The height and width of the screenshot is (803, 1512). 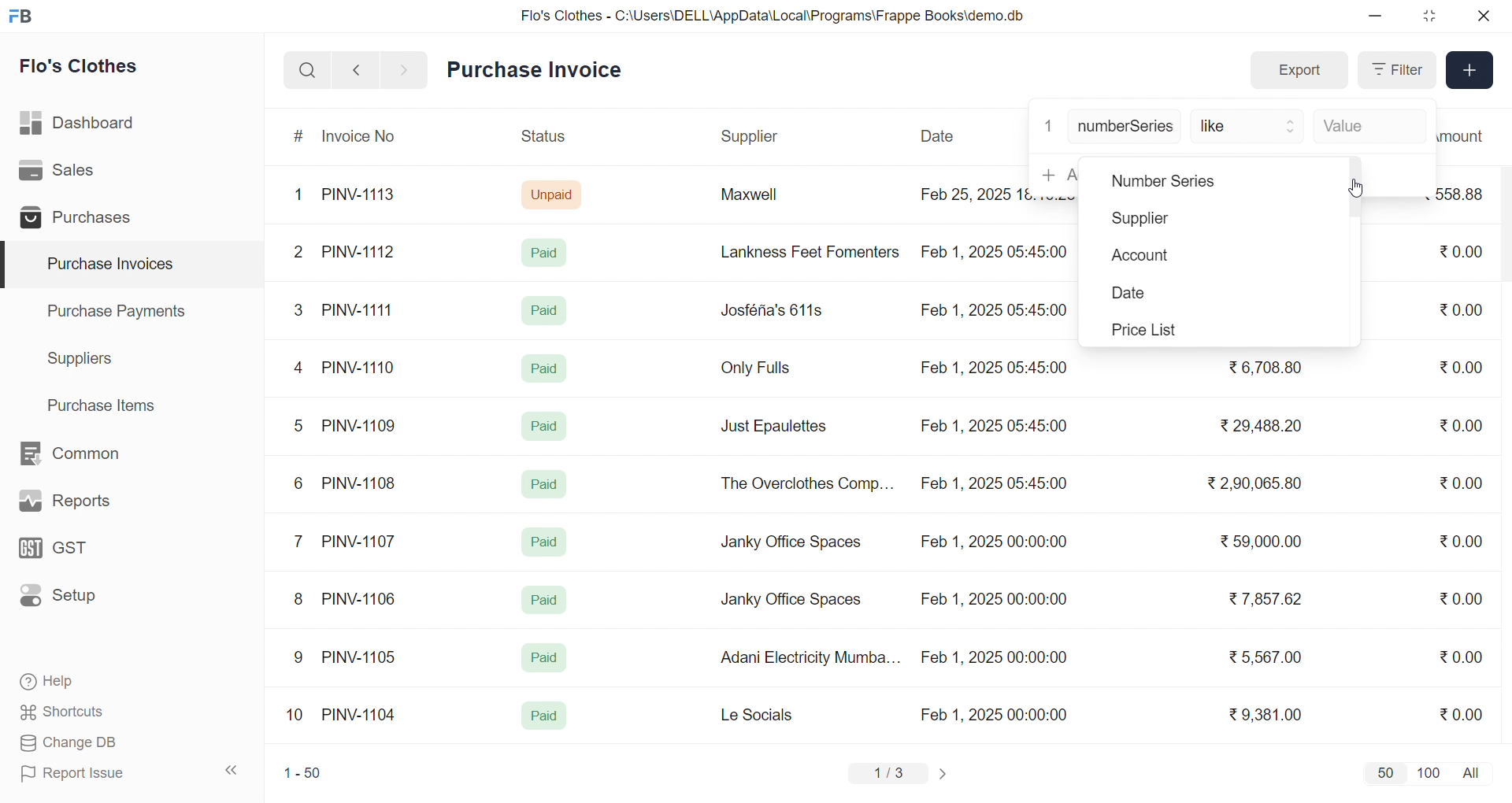 What do you see at coordinates (83, 505) in the screenshot?
I see `Reports` at bounding box center [83, 505].